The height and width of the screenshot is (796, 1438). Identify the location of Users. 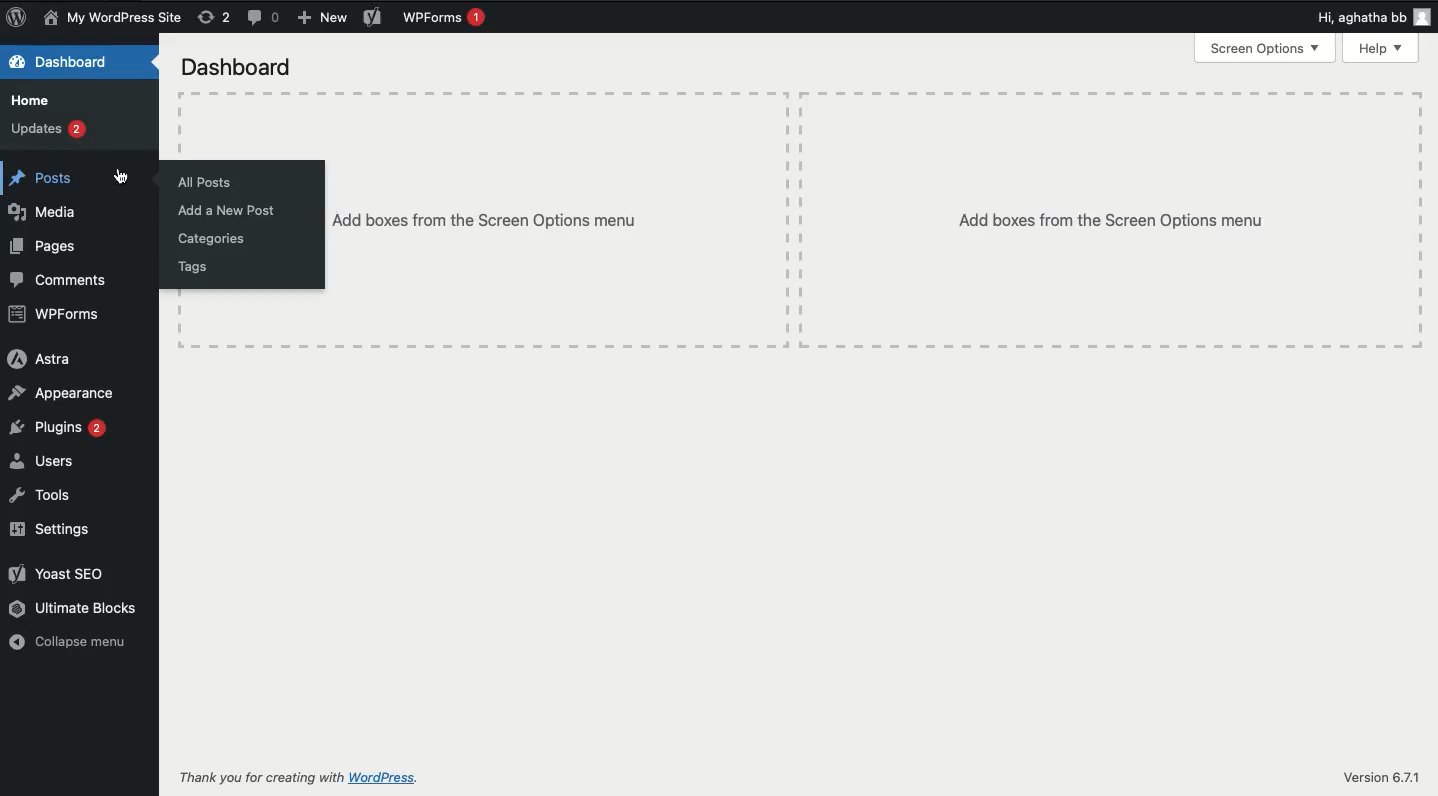
(44, 460).